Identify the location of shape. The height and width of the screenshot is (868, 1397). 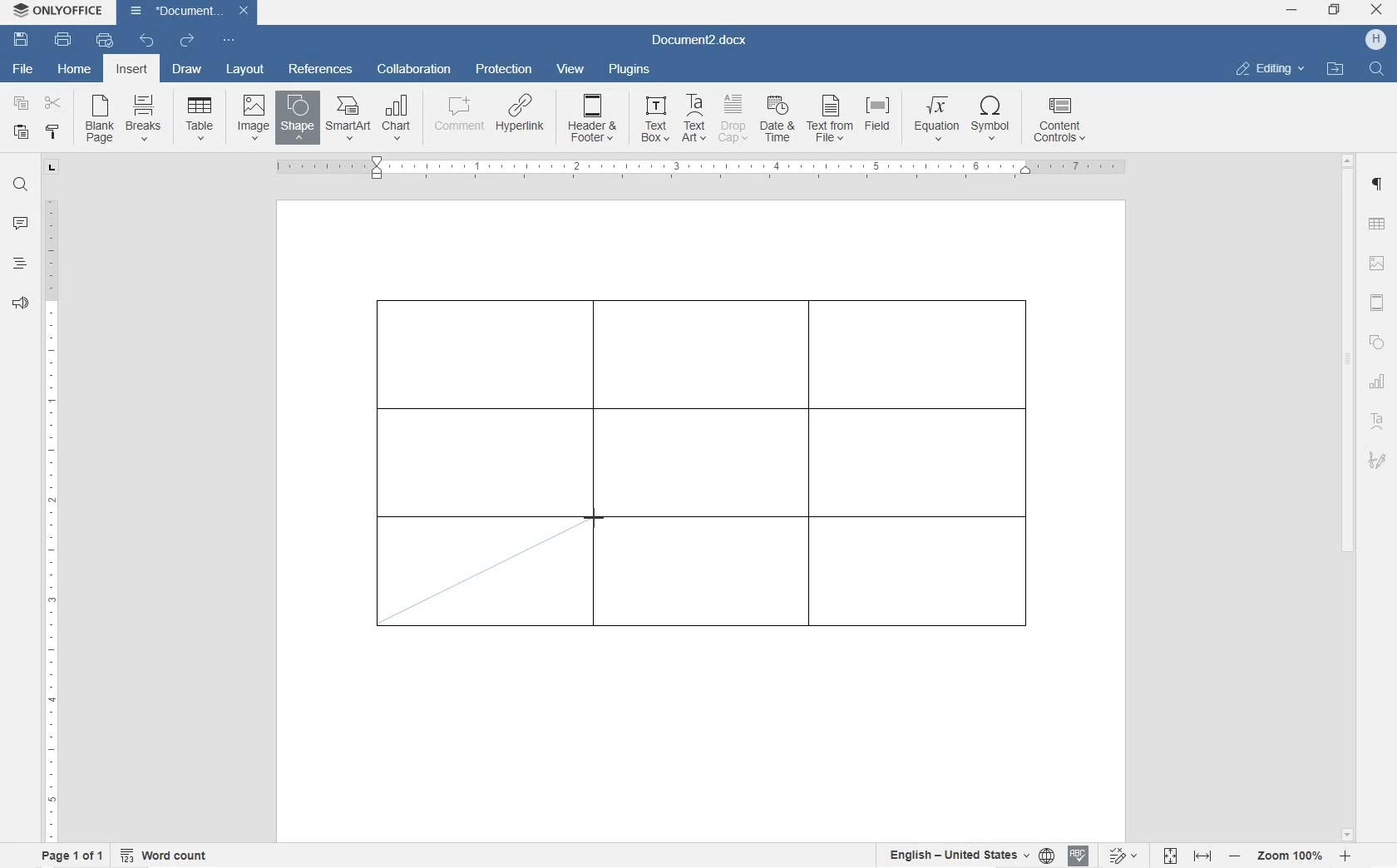
(1377, 342).